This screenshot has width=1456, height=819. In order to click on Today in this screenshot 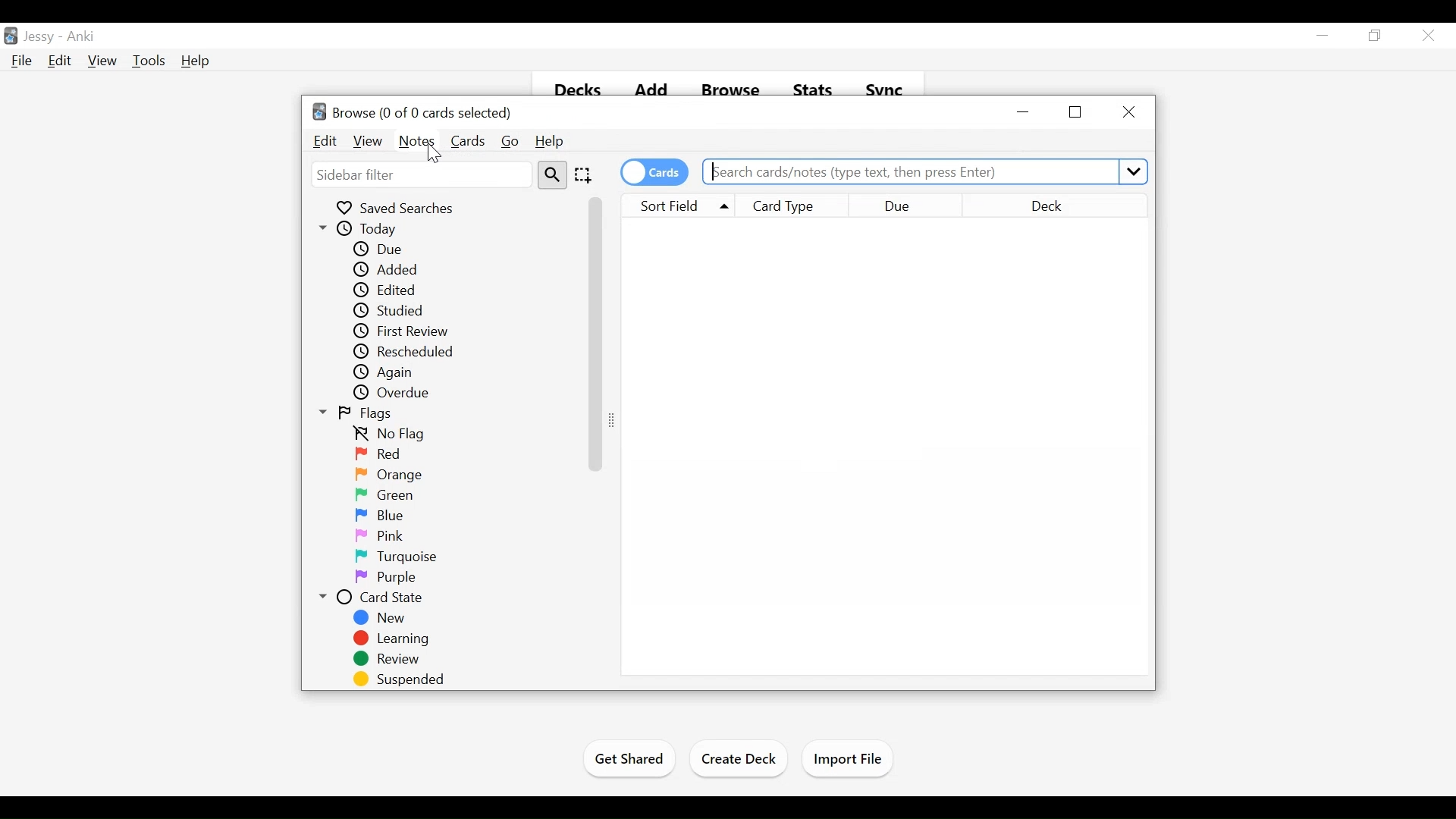, I will do `click(360, 229)`.